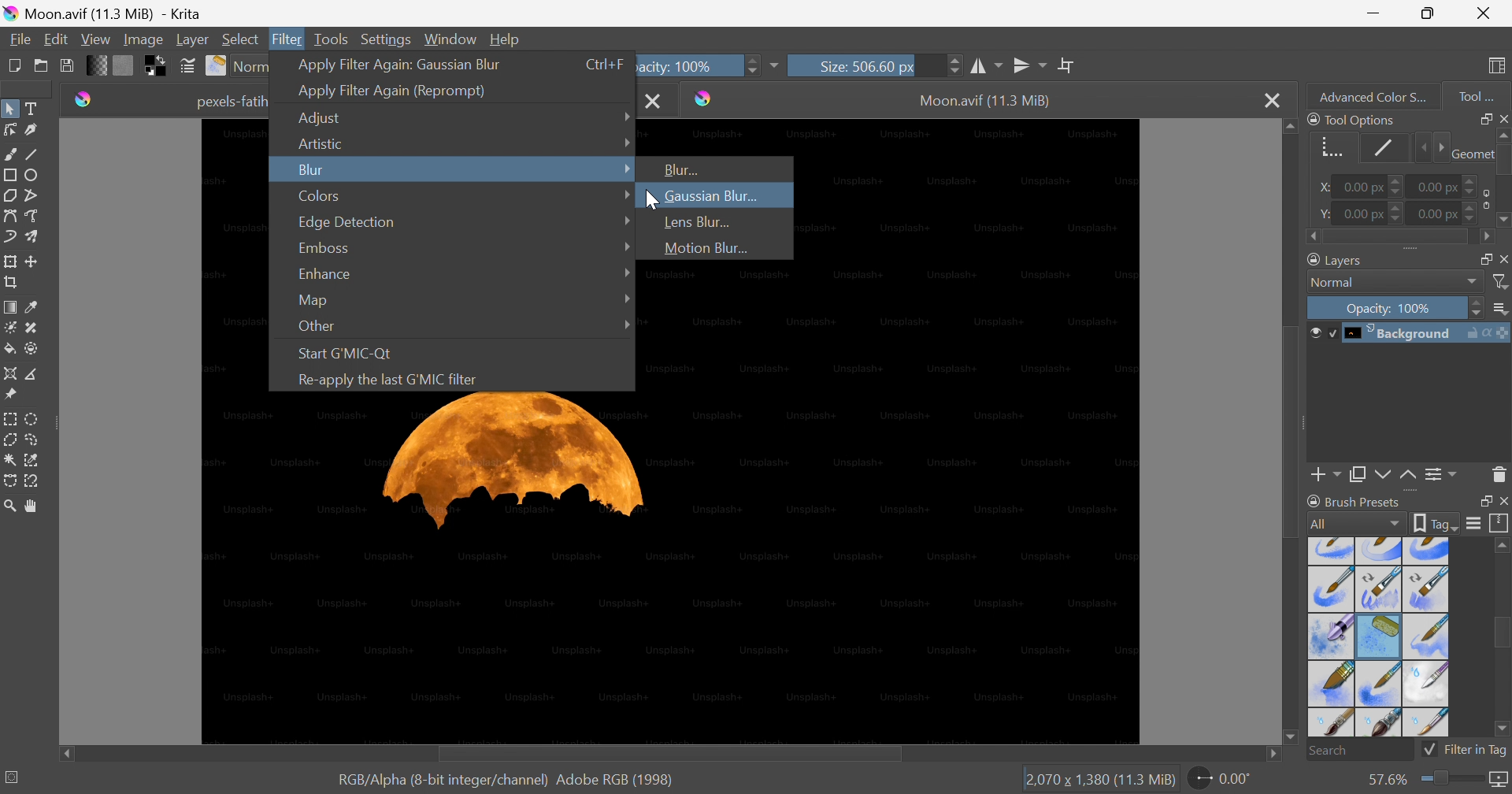 This screenshot has height=794, width=1512. Describe the element at coordinates (32, 150) in the screenshot. I see `Line tool` at that location.